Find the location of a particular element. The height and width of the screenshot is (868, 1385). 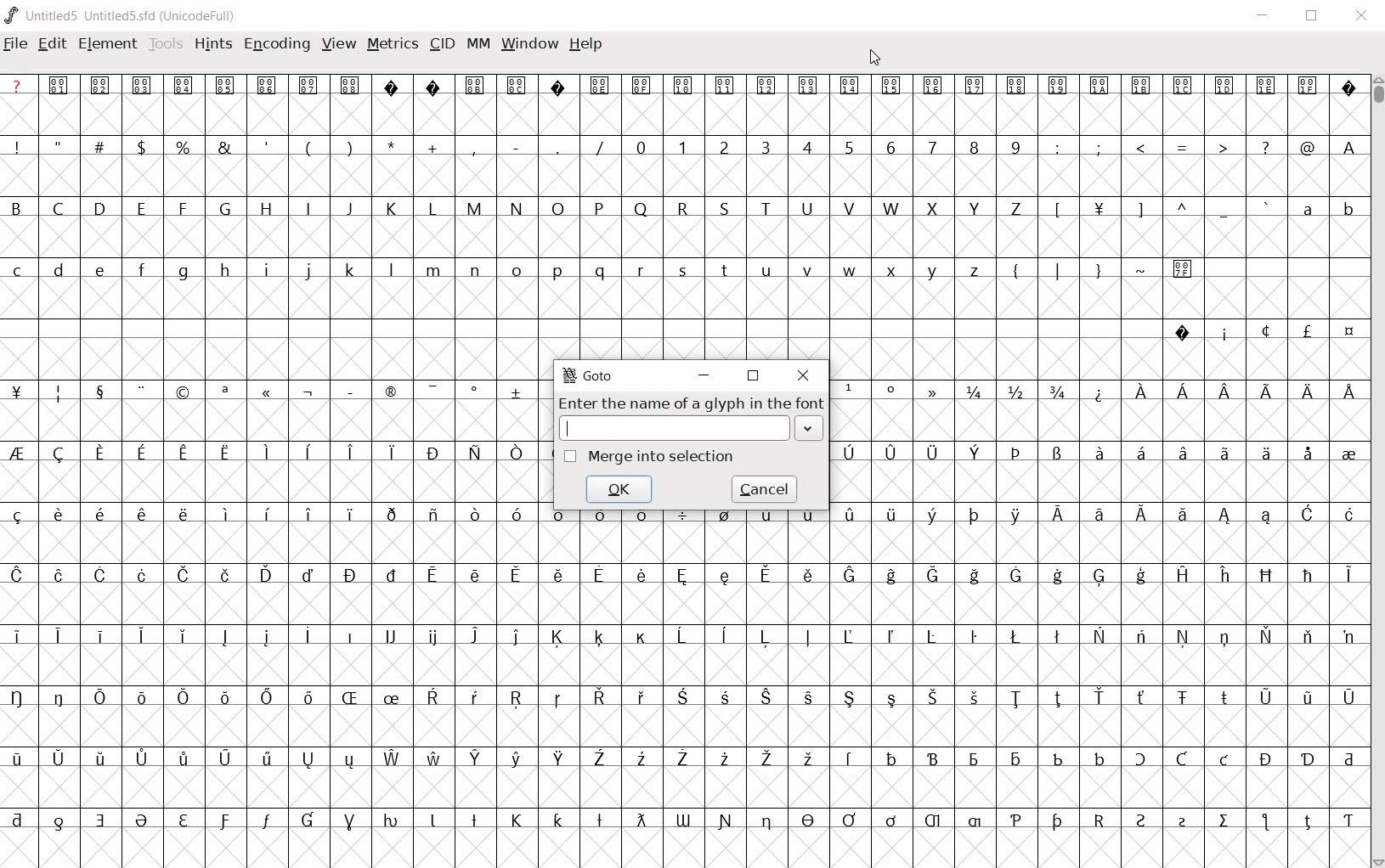

Symbol is located at coordinates (308, 759).